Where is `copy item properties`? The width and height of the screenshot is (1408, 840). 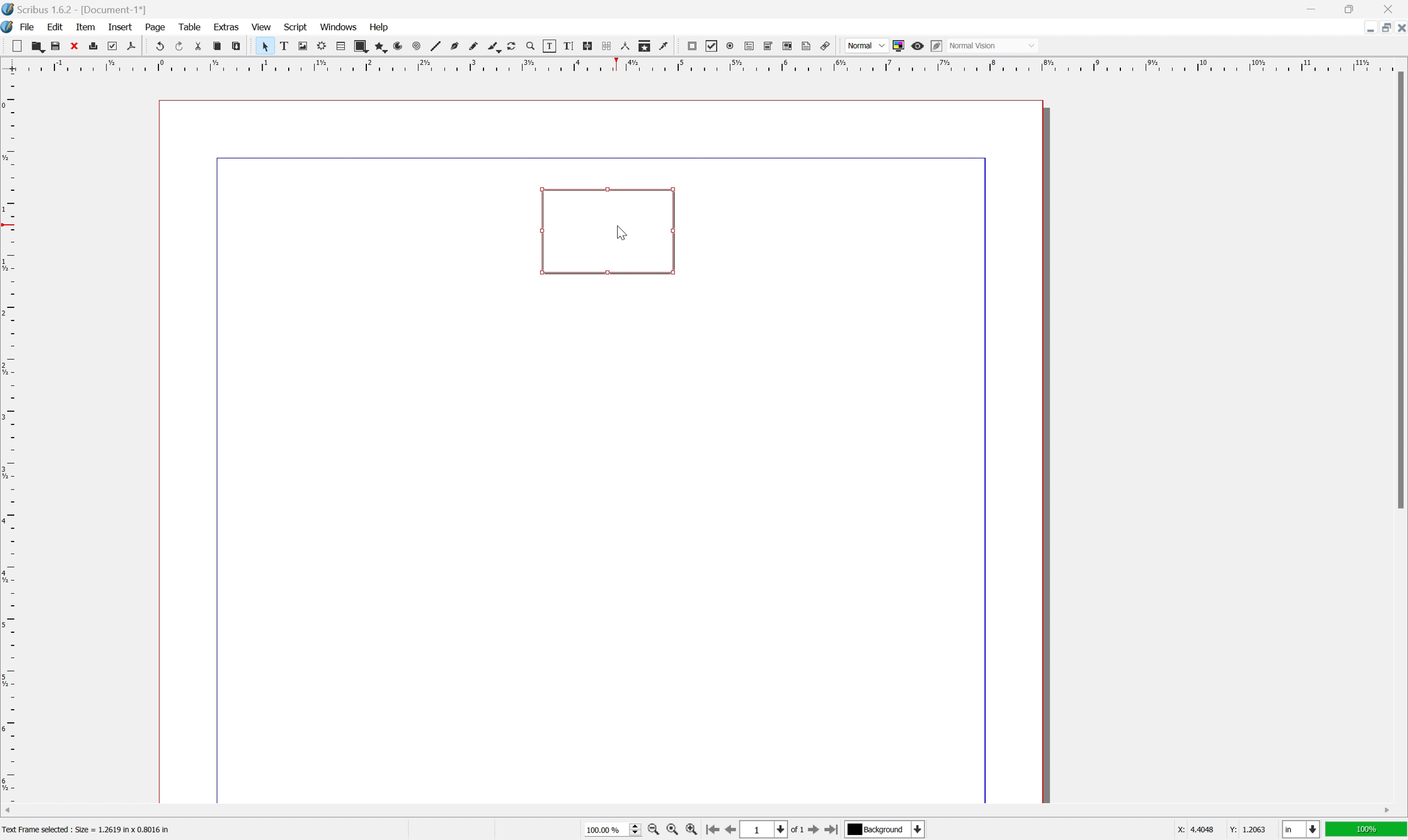
copy item properties is located at coordinates (645, 46).